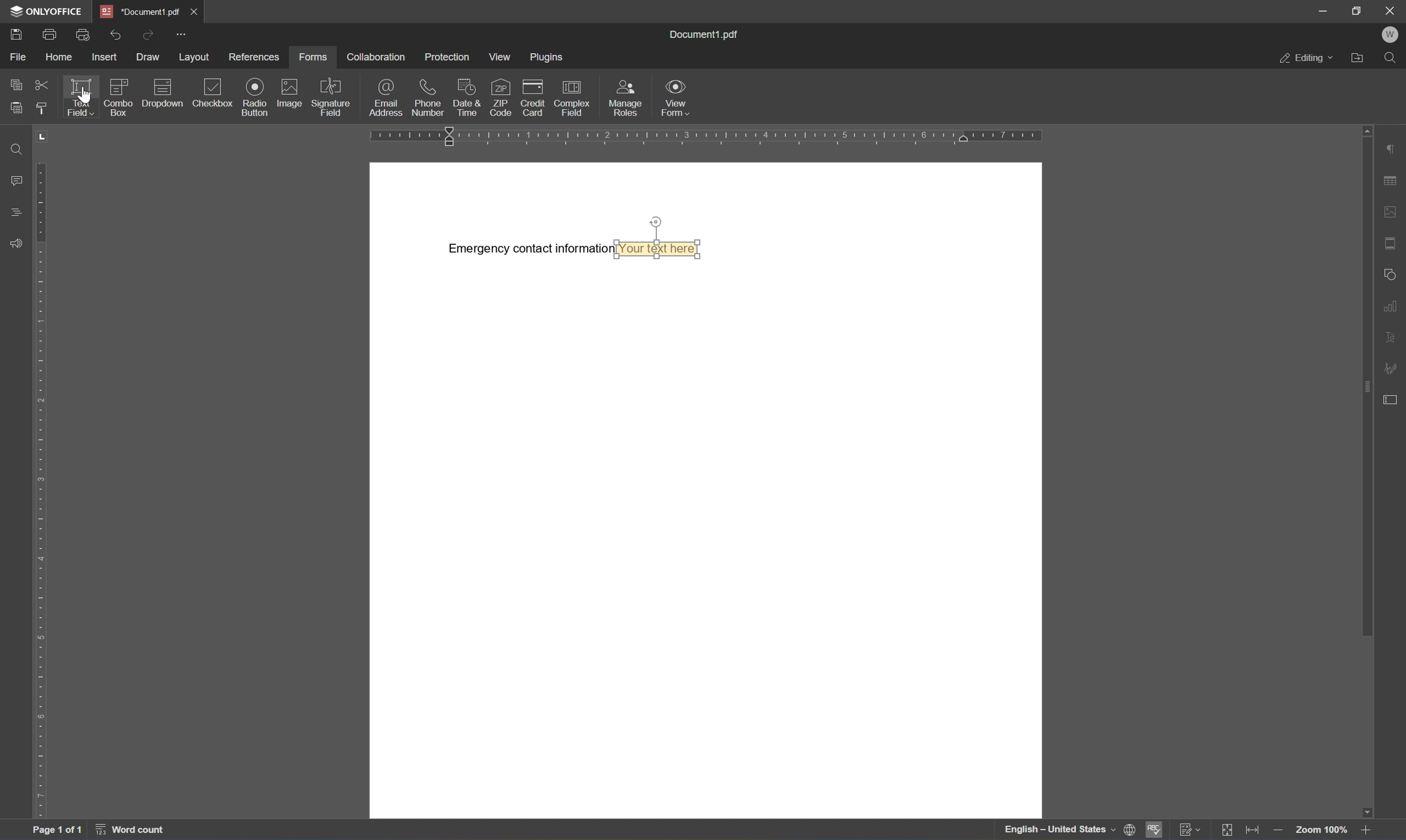 The width and height of the screenshot is (1406, 840). Describe the element at coordinates (1393, 144) in the screenshot. I see `paragraph settings` at that location.